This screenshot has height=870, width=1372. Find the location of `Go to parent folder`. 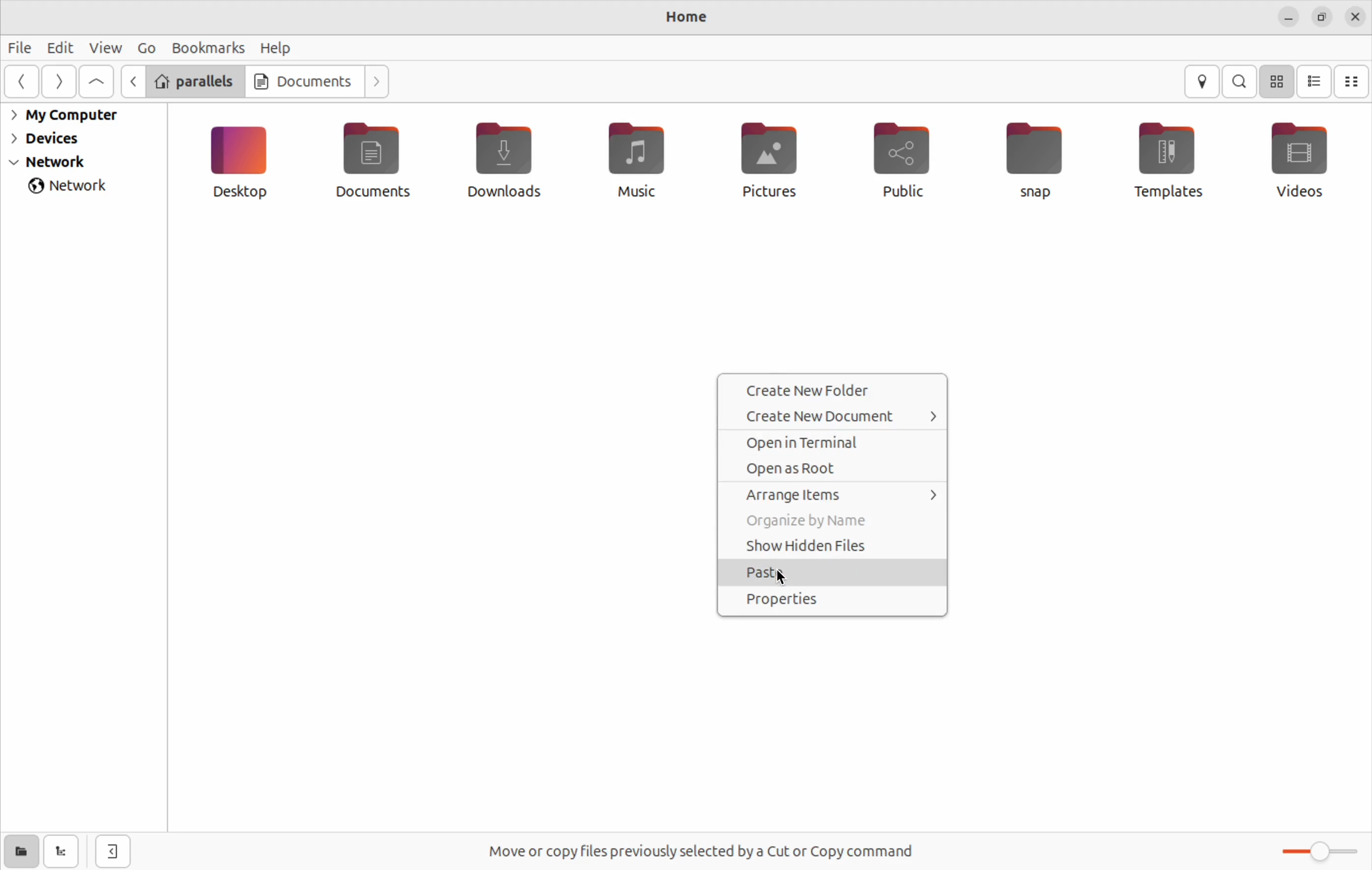

Go to parent folder is located at coordinates (97, 81).